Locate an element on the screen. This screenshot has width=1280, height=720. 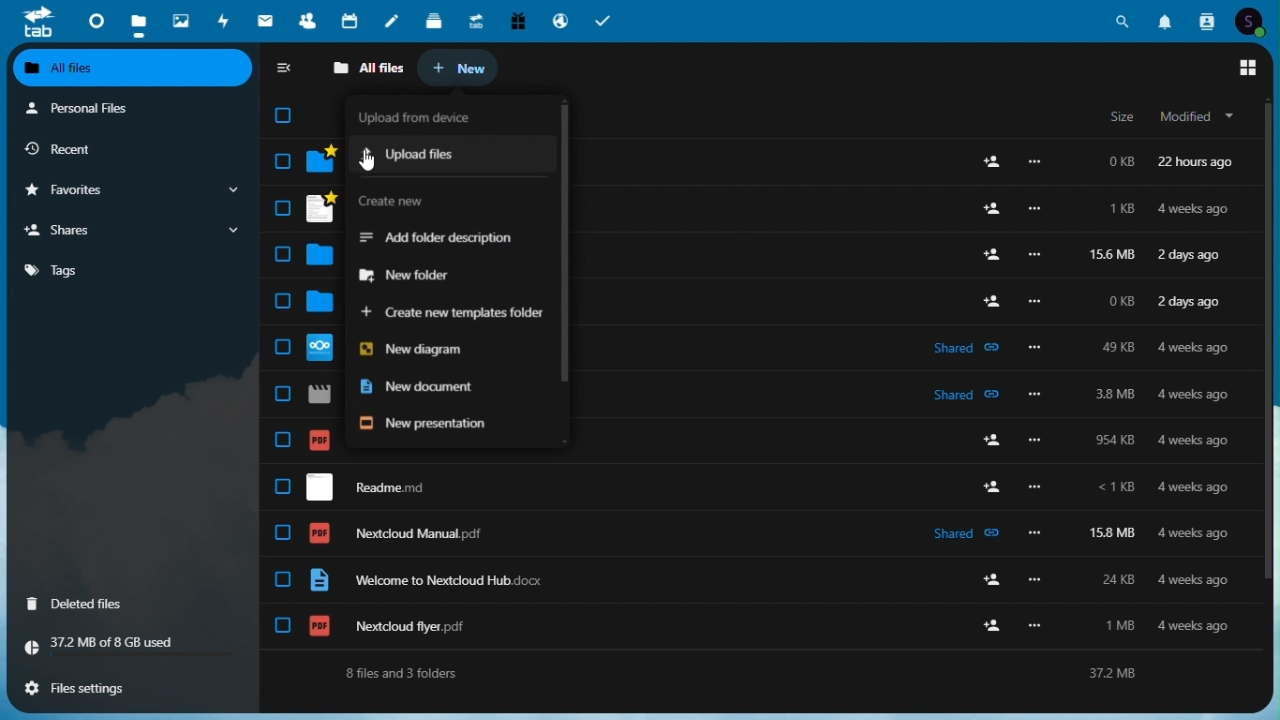
nextcloud flyer.pdf is located at coordinates (407, 627).